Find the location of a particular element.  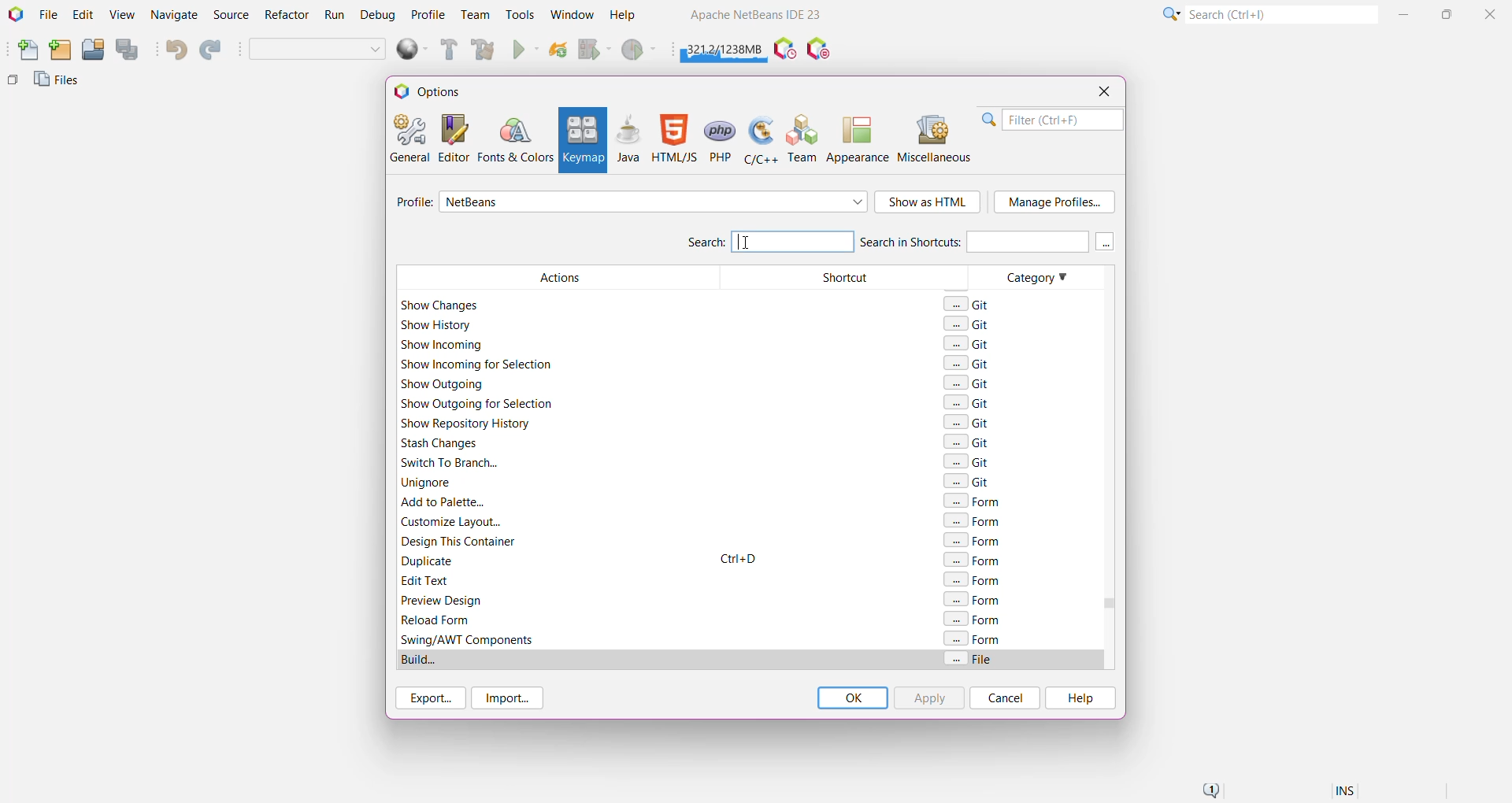

Redo is located at coordinates (213, 50).